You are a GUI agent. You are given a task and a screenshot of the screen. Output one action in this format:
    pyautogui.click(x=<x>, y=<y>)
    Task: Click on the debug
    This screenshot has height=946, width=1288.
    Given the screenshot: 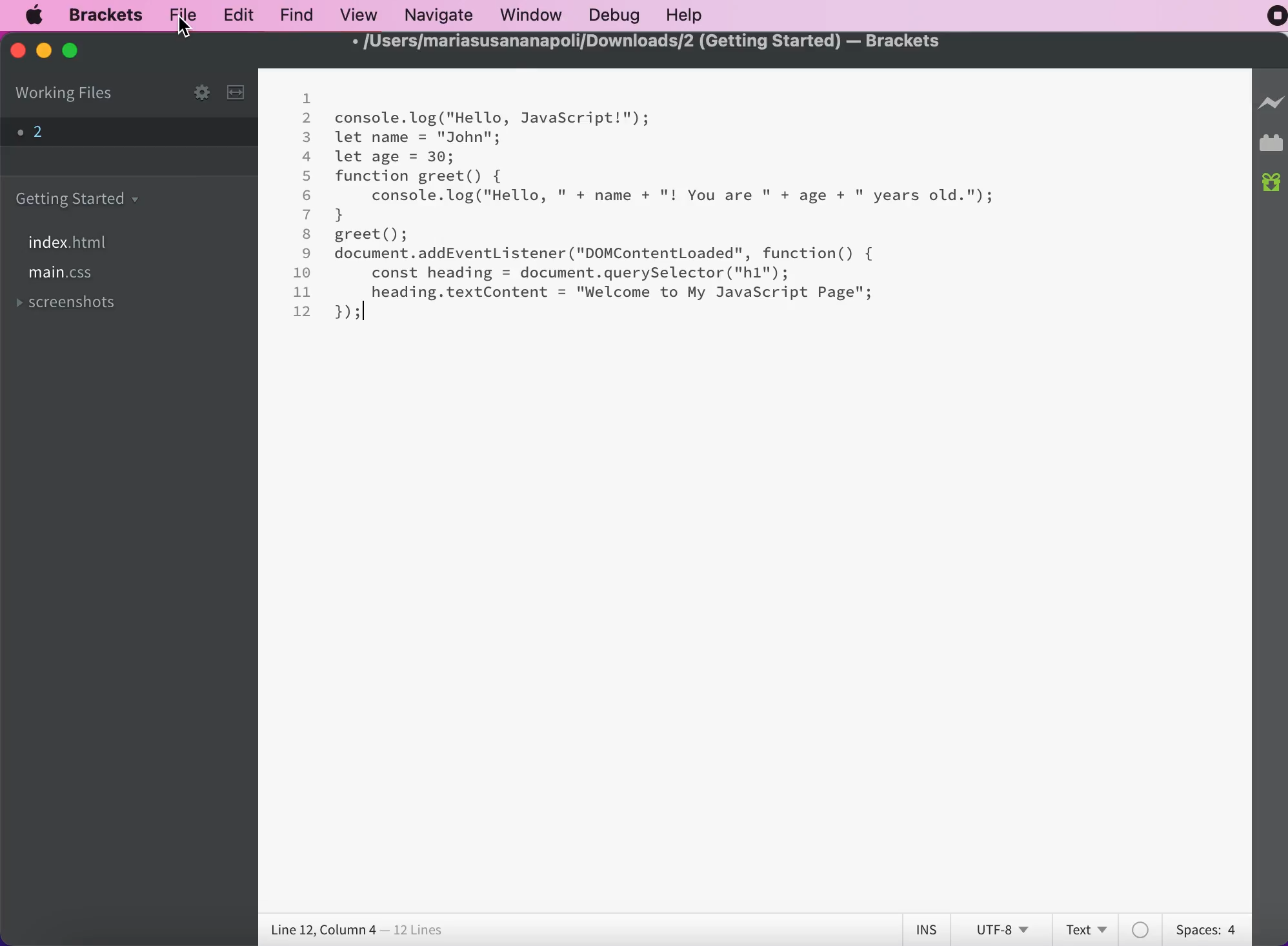 What is the action you would take?
    pyautogui.click(x=612, y=15)
    